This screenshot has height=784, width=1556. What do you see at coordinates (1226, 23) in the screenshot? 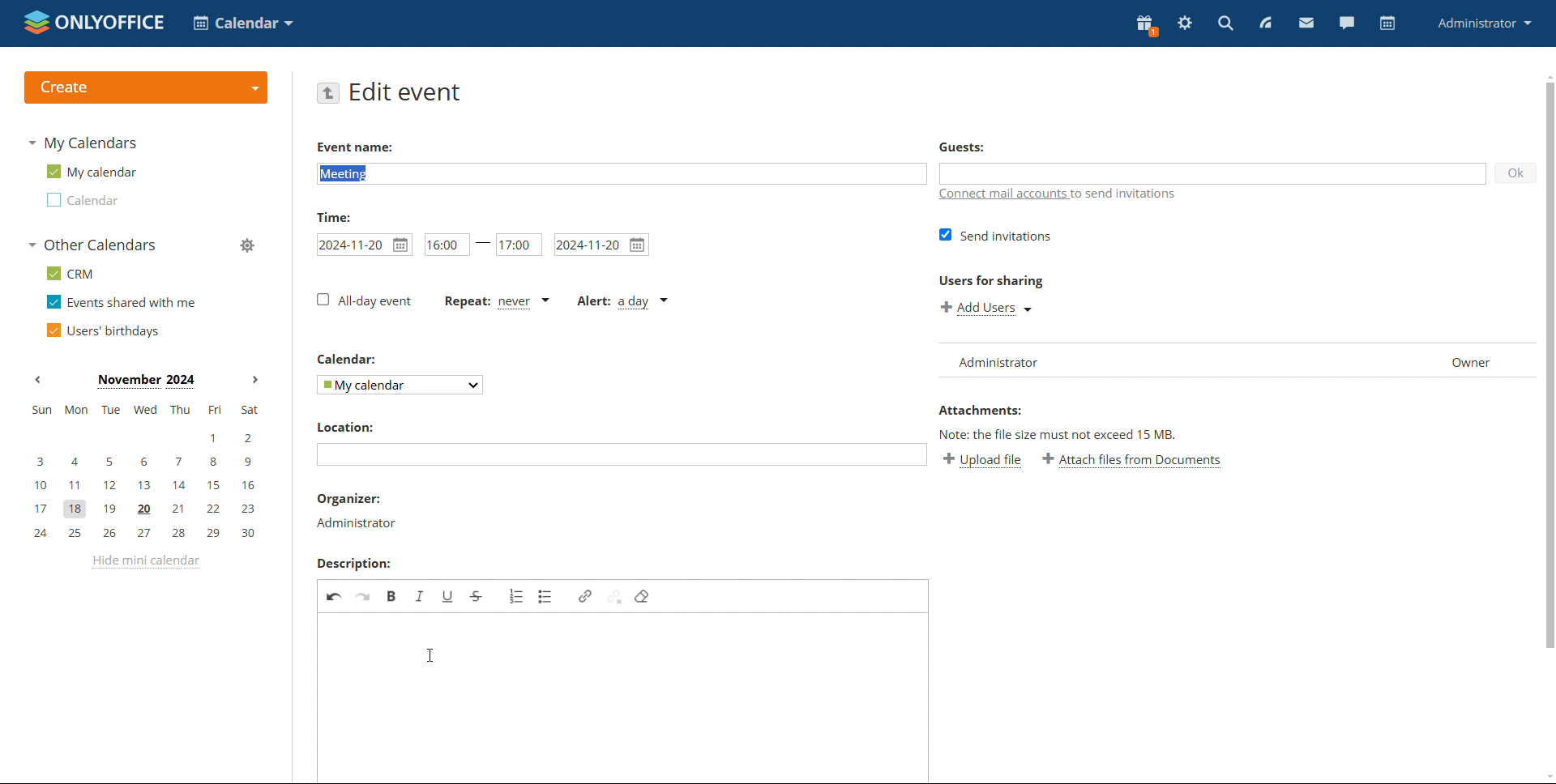
I see `search` at bounding box center [1226, 23].